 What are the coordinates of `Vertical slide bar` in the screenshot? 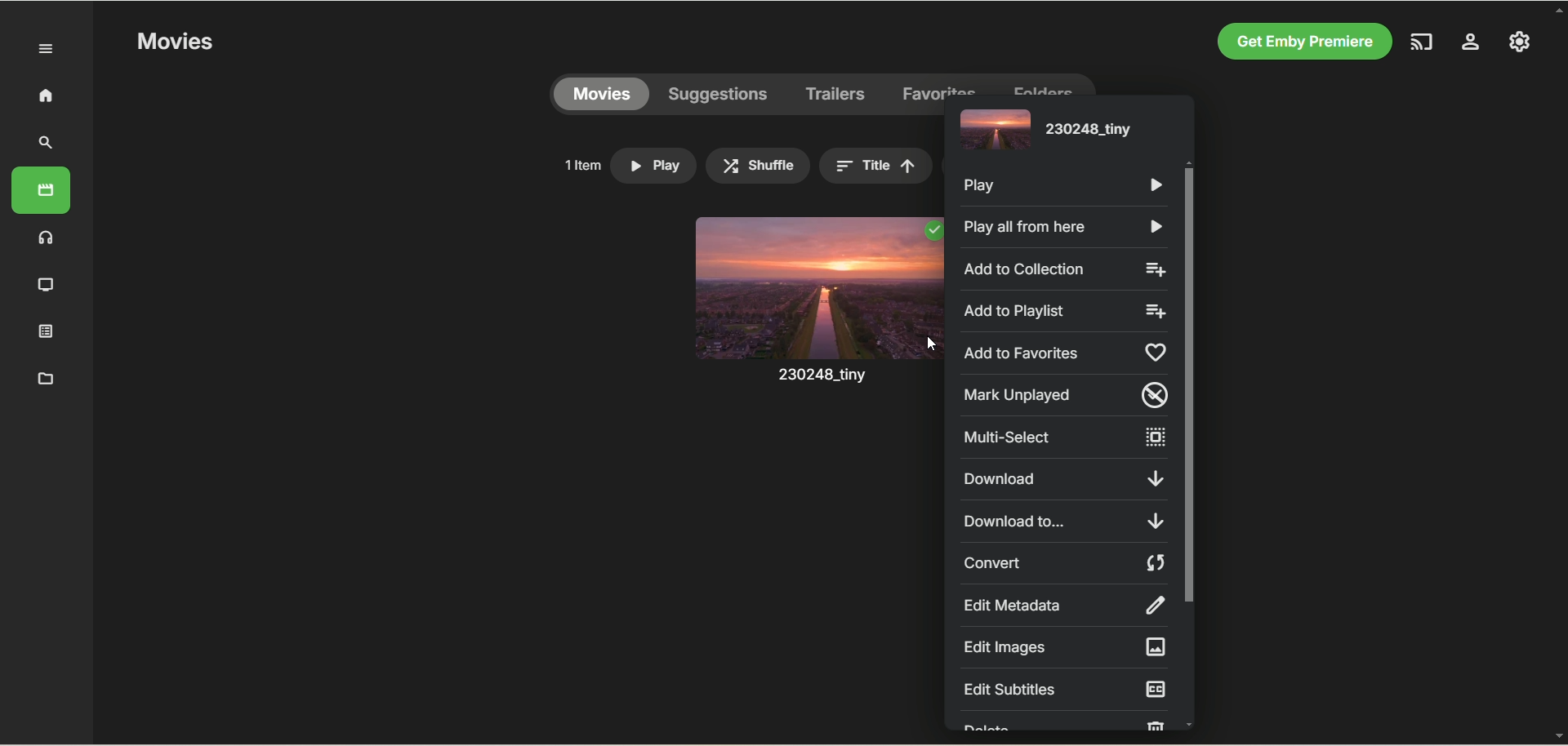 It's located at (1189, 443).